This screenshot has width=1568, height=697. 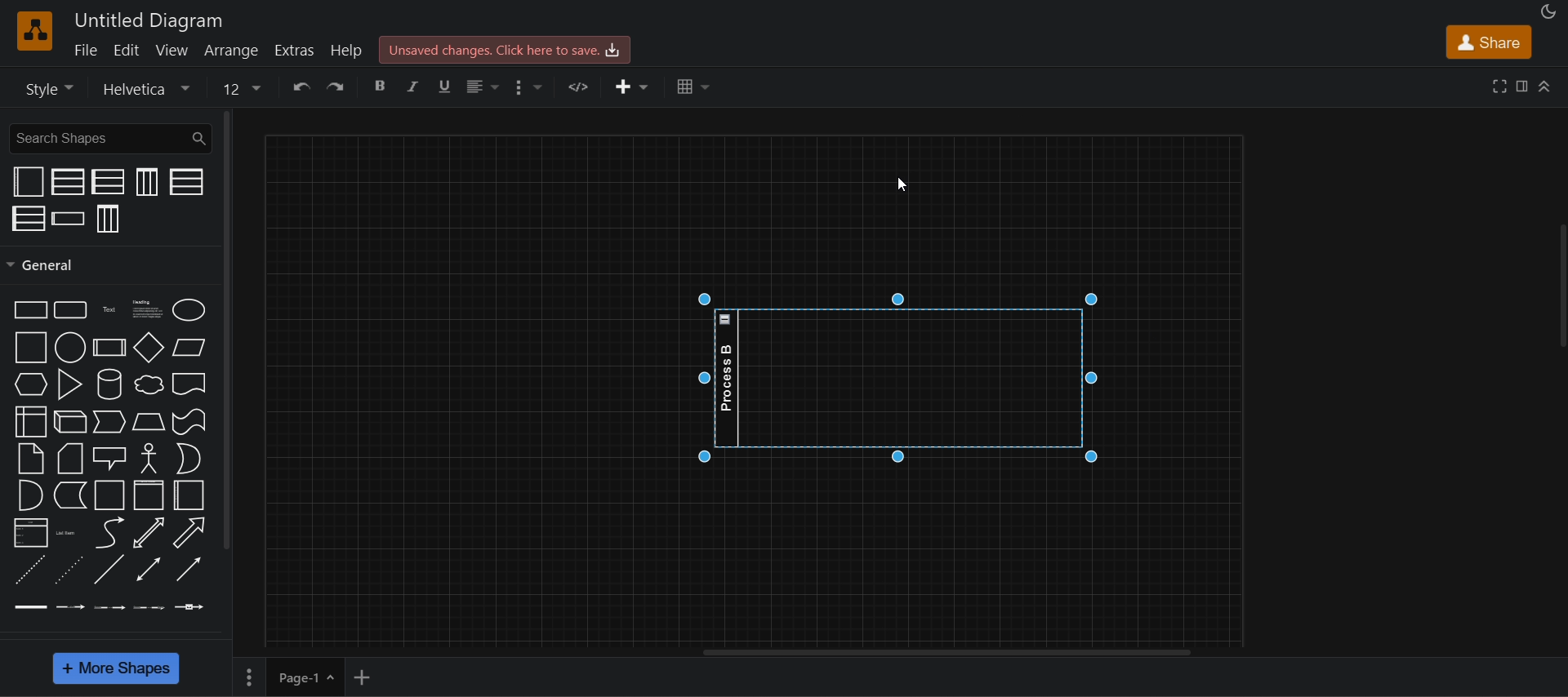 I want to click on square, so click(x=29, y=348).